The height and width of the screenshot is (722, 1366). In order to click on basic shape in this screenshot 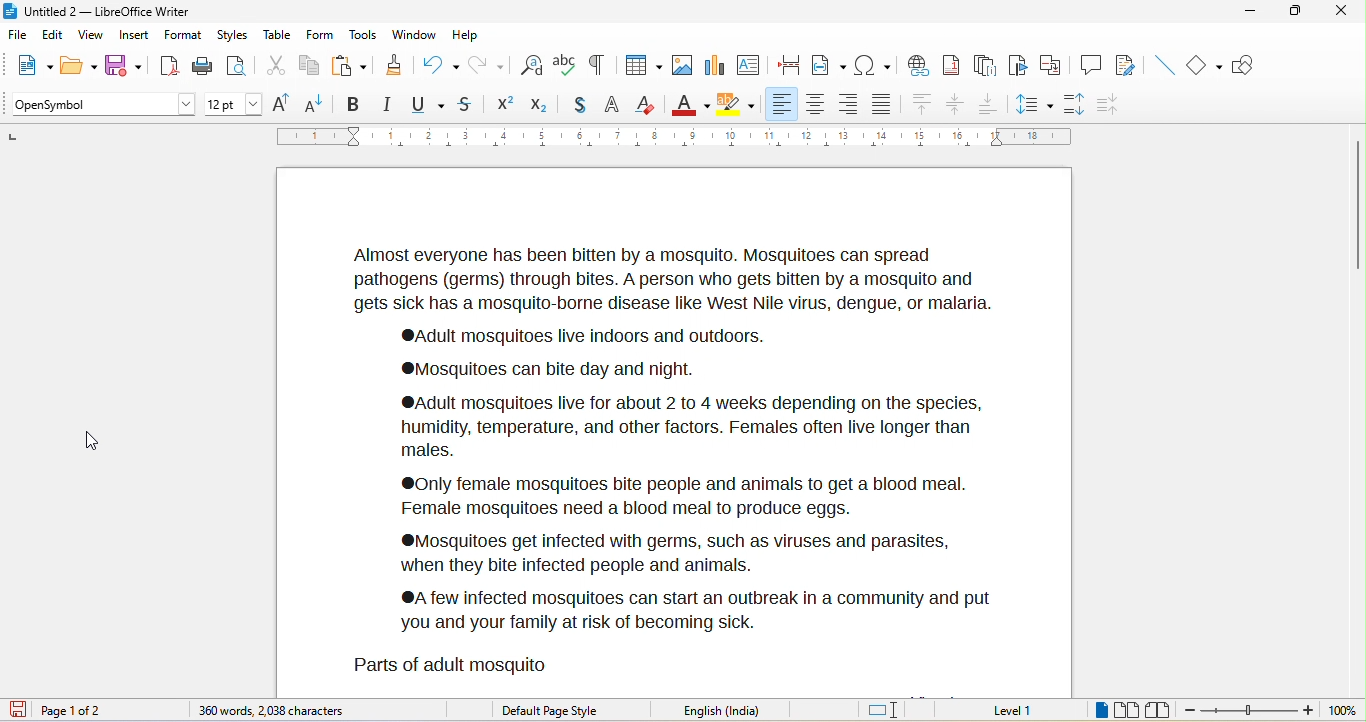, I will do `click(1203, 64)`.